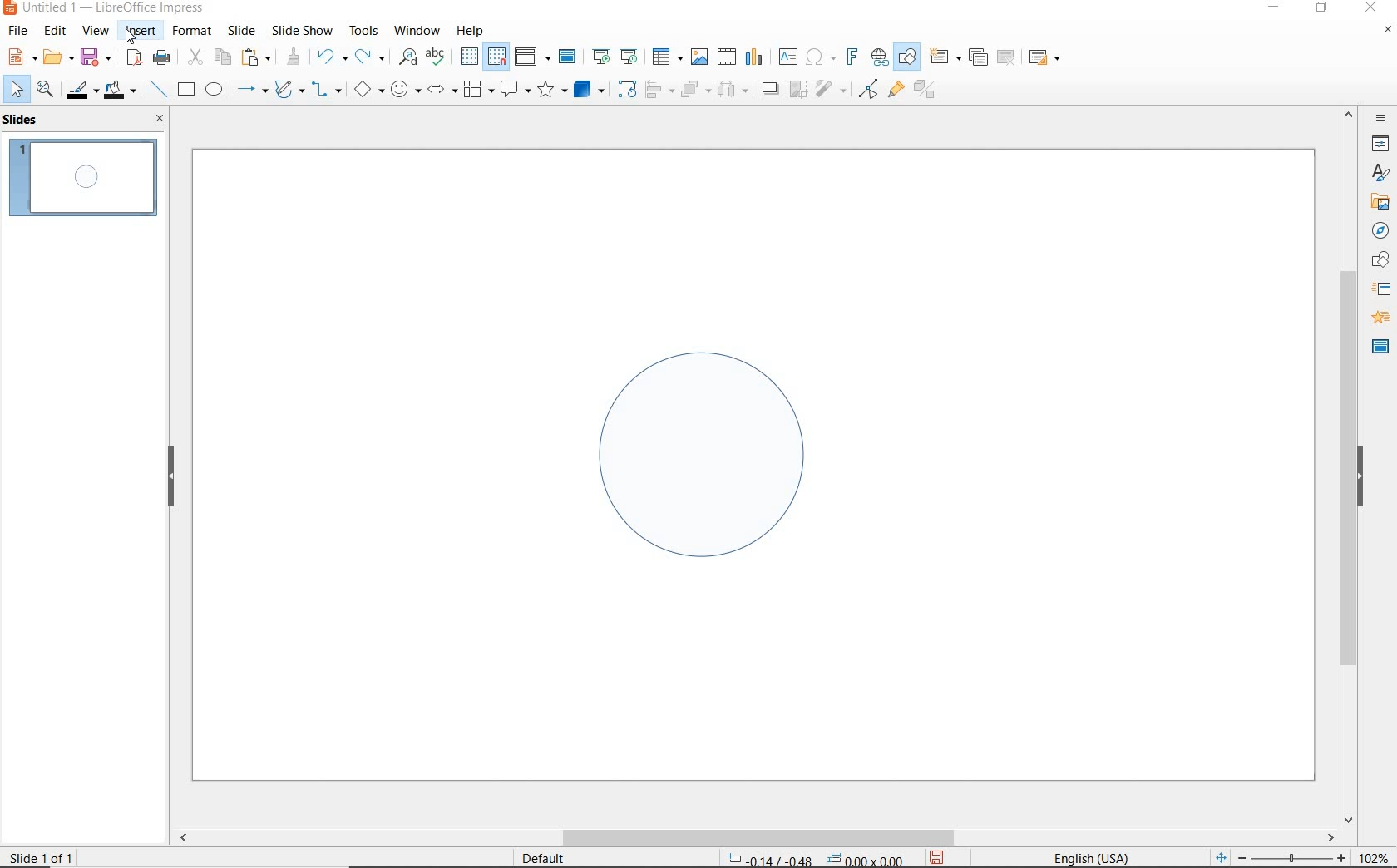 The width and height of the screenshot is (1397, 868). Describe the element at coordinates (241, 31) in the screenshot. I see `slide` at that location.